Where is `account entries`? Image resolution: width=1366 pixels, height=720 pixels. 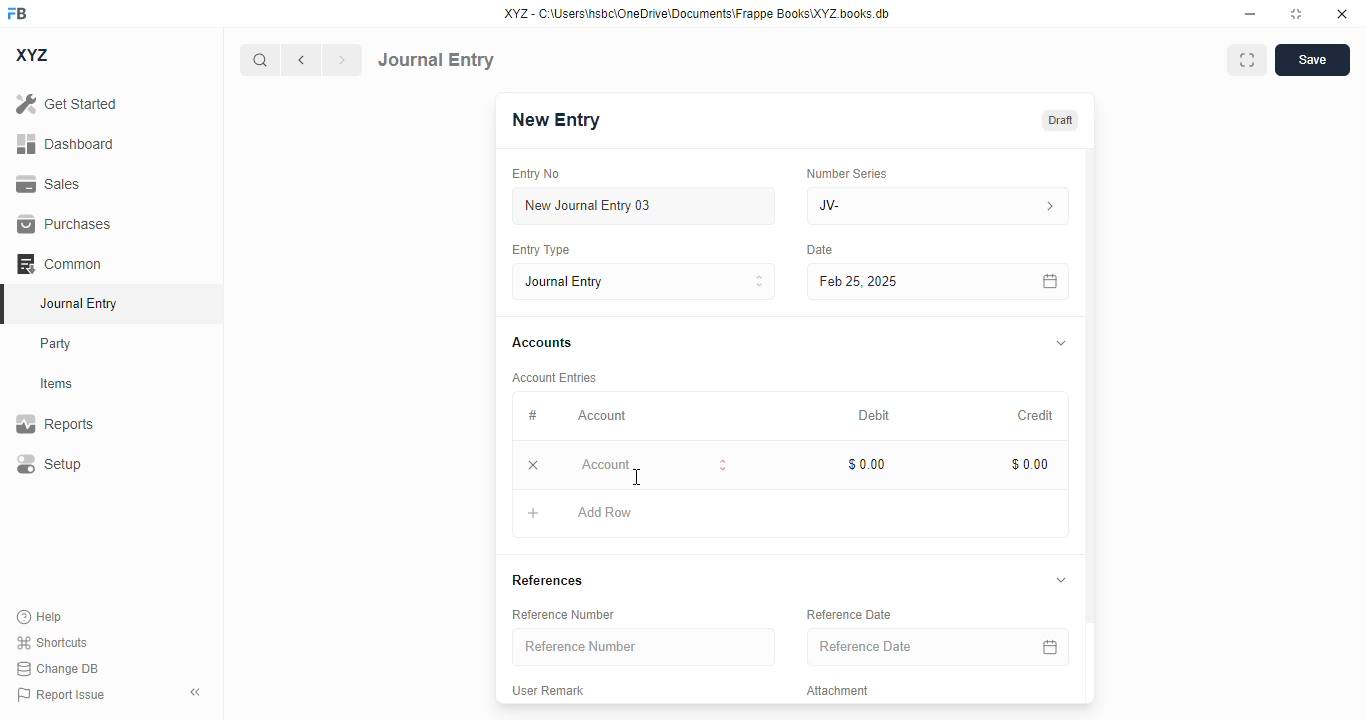
account entries is located at coordinates (554, 377).